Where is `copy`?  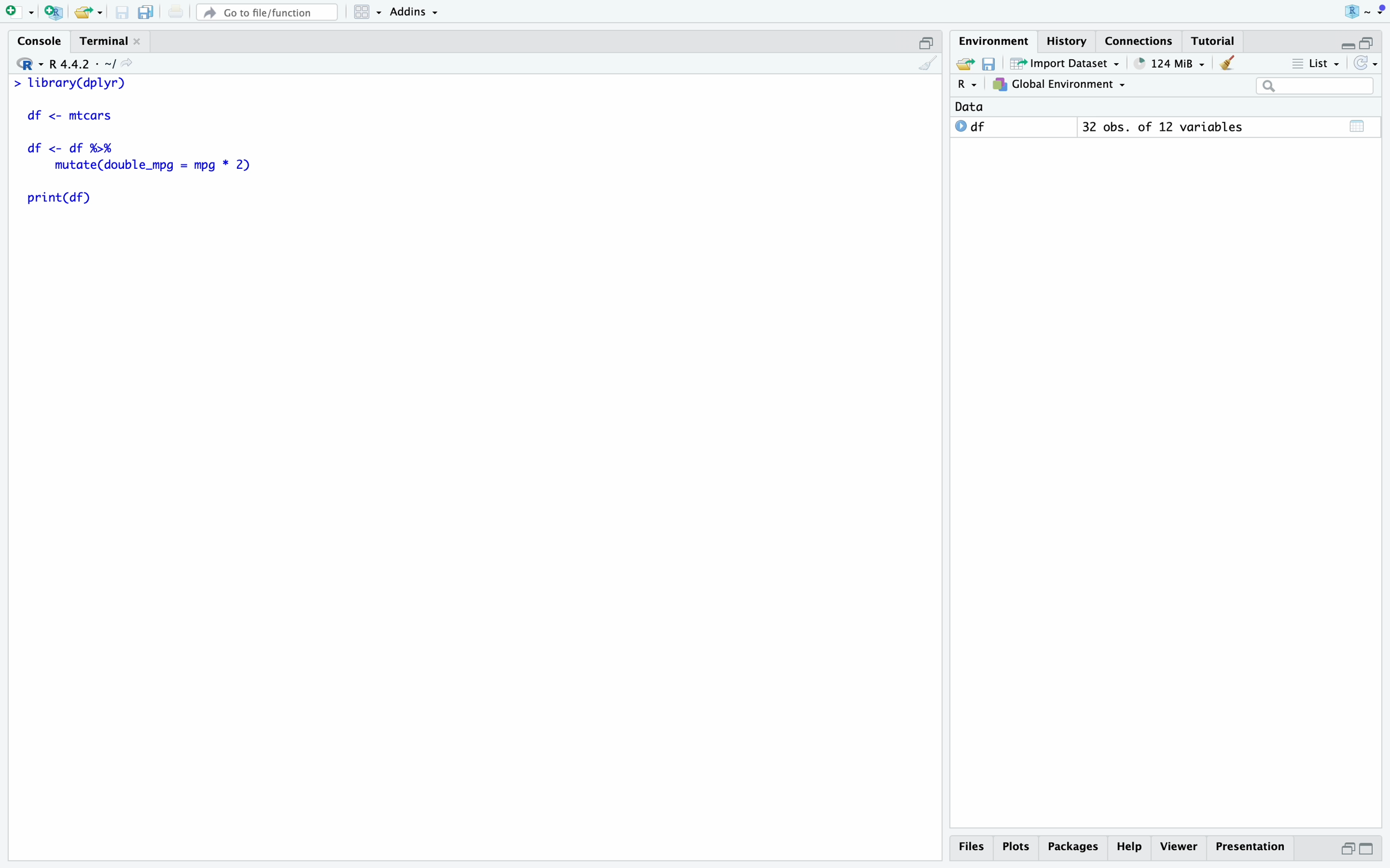 copy is located at coordinates (146, 12).